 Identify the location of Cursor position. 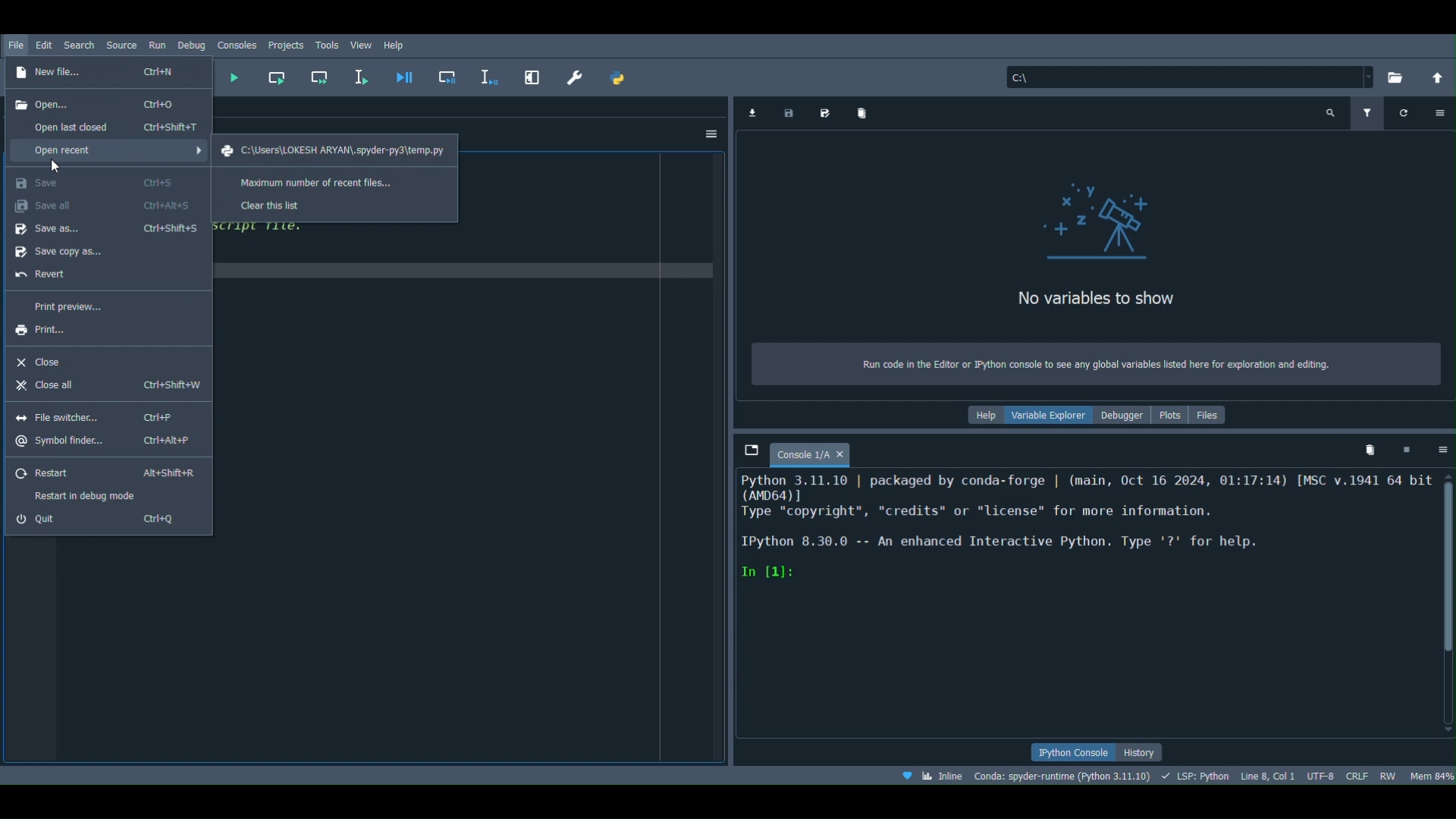
(1266, 774).